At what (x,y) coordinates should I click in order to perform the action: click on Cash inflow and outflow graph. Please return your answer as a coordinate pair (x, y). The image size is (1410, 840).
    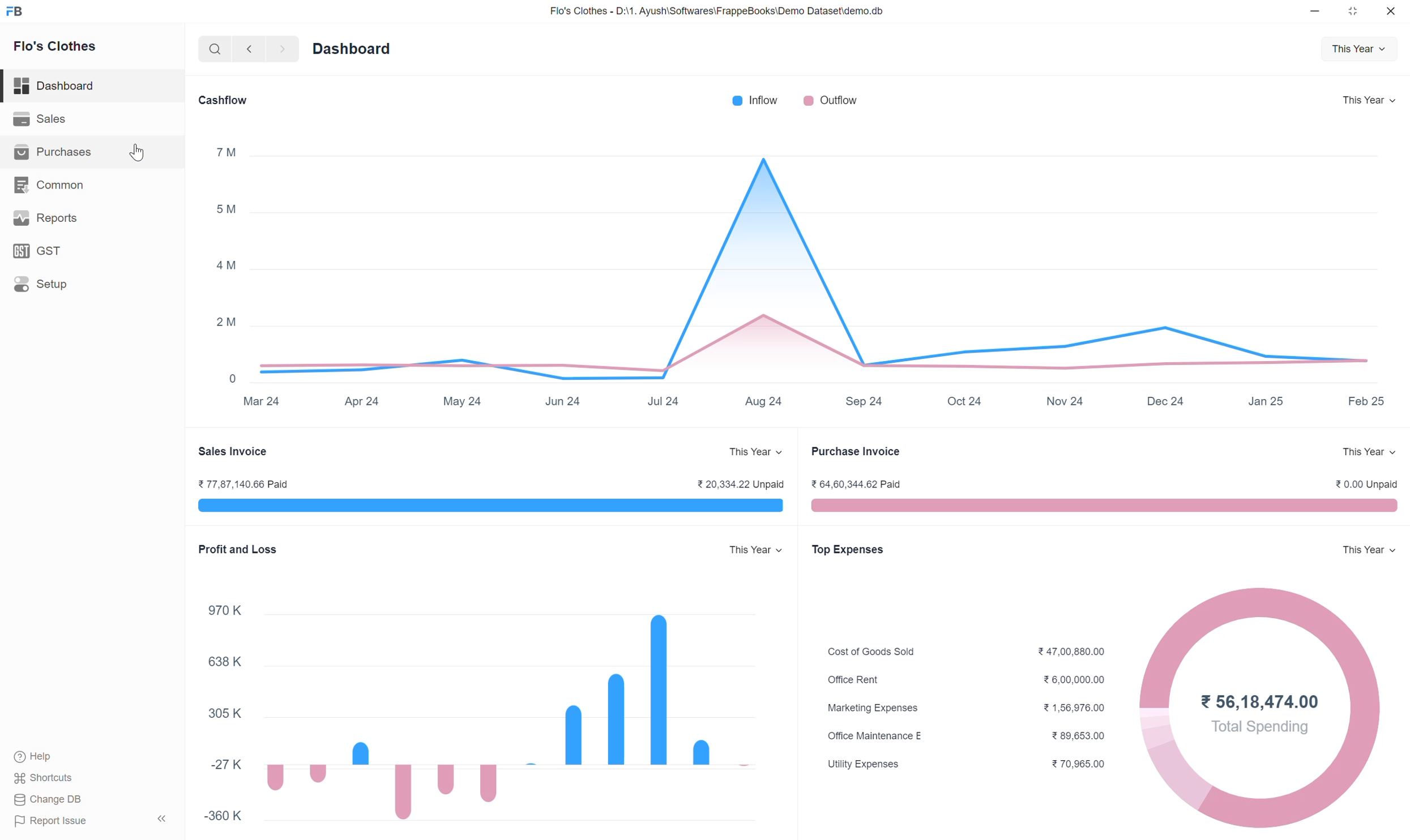
    Looking at the image, I should click on (819, 254).